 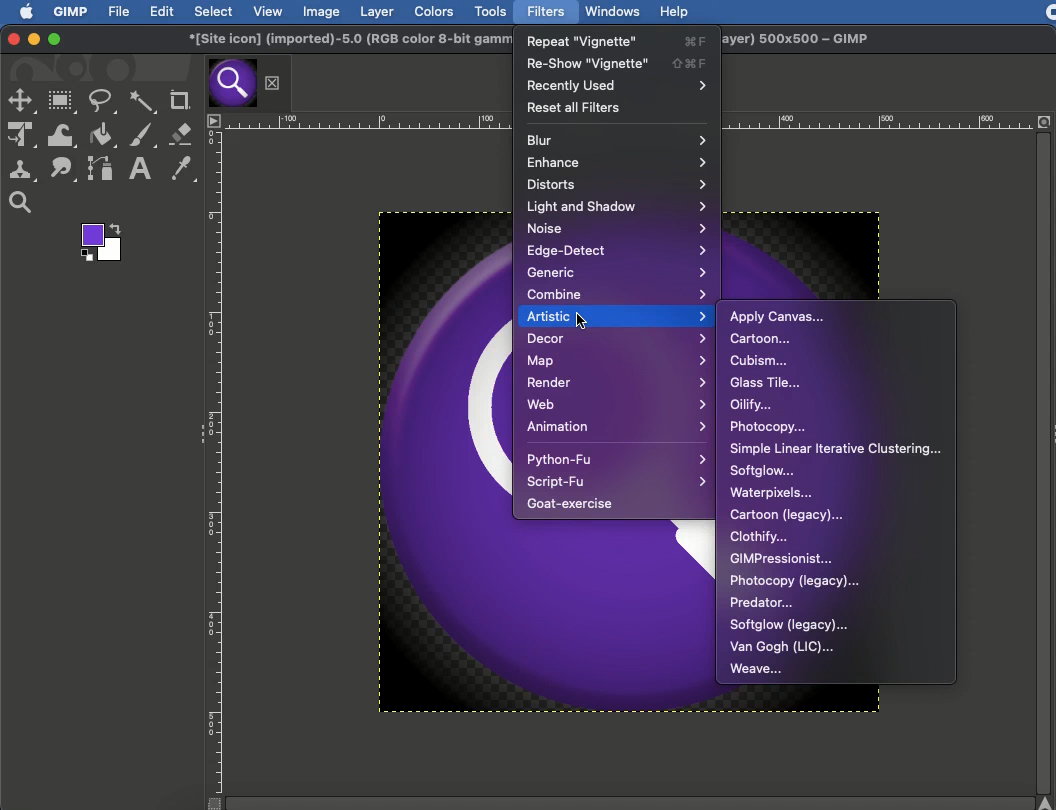 What do you see at coordinates (215, 462) in the screenshot?
I see `` at bounding box center [215, 462].